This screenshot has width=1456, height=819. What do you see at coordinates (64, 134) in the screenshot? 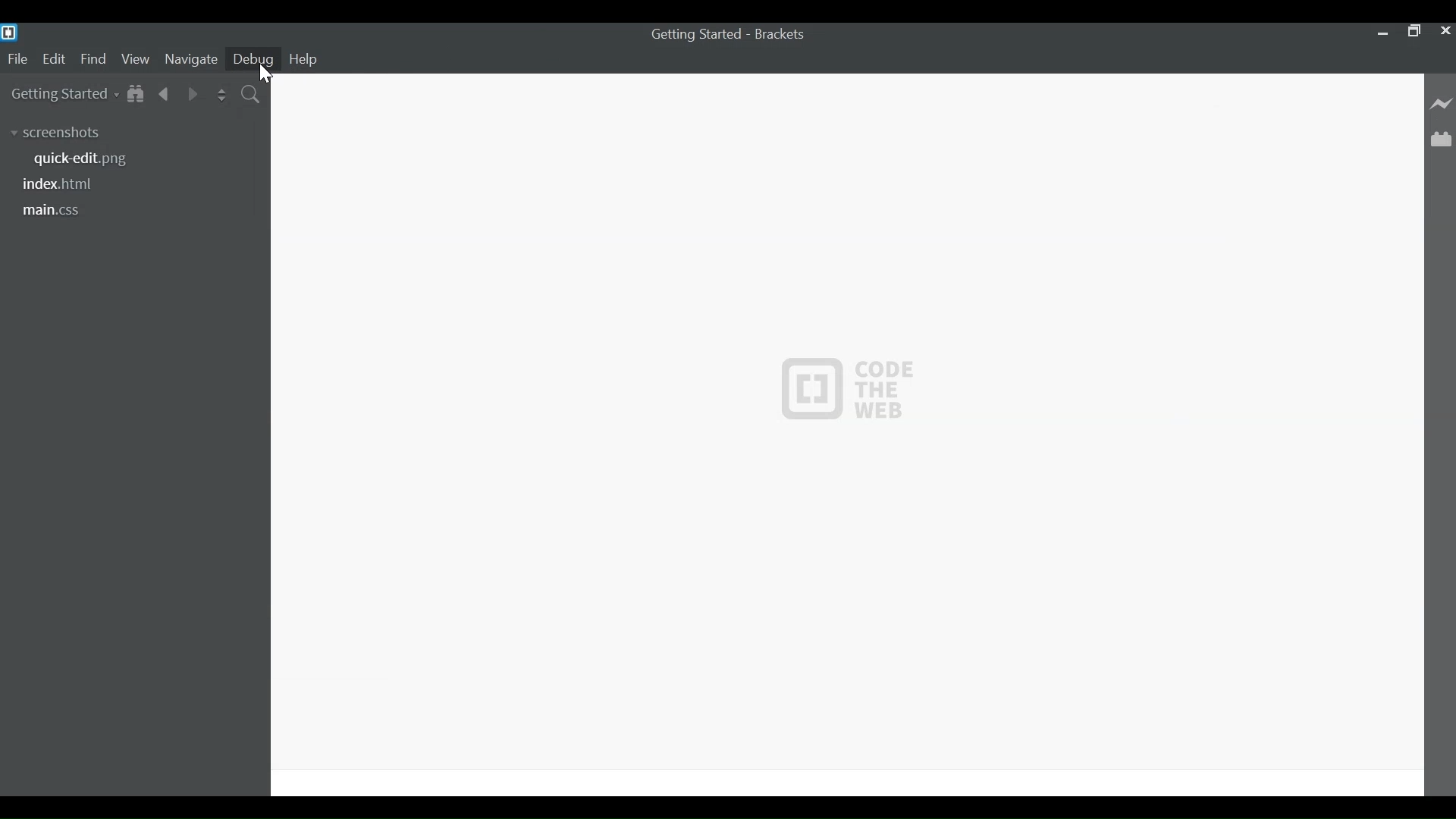
I see `screenshot` at bounding box center [64, 134].